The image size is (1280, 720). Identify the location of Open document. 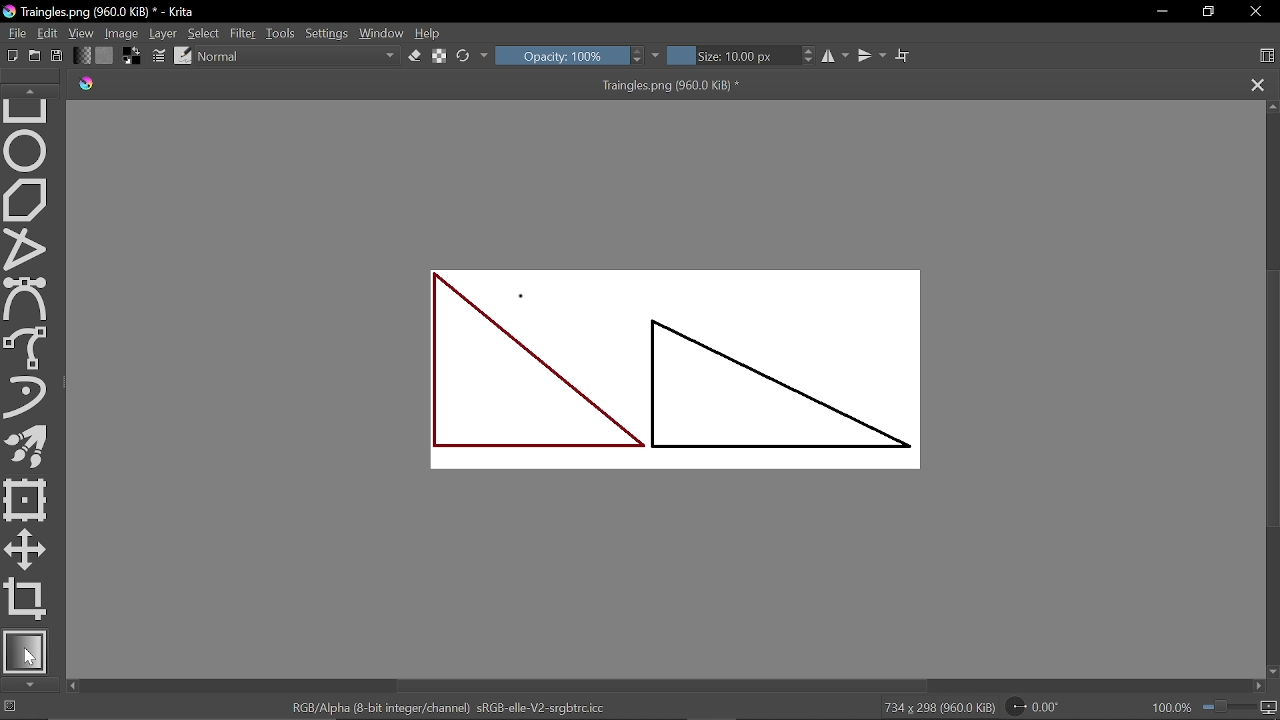
(37, 55).